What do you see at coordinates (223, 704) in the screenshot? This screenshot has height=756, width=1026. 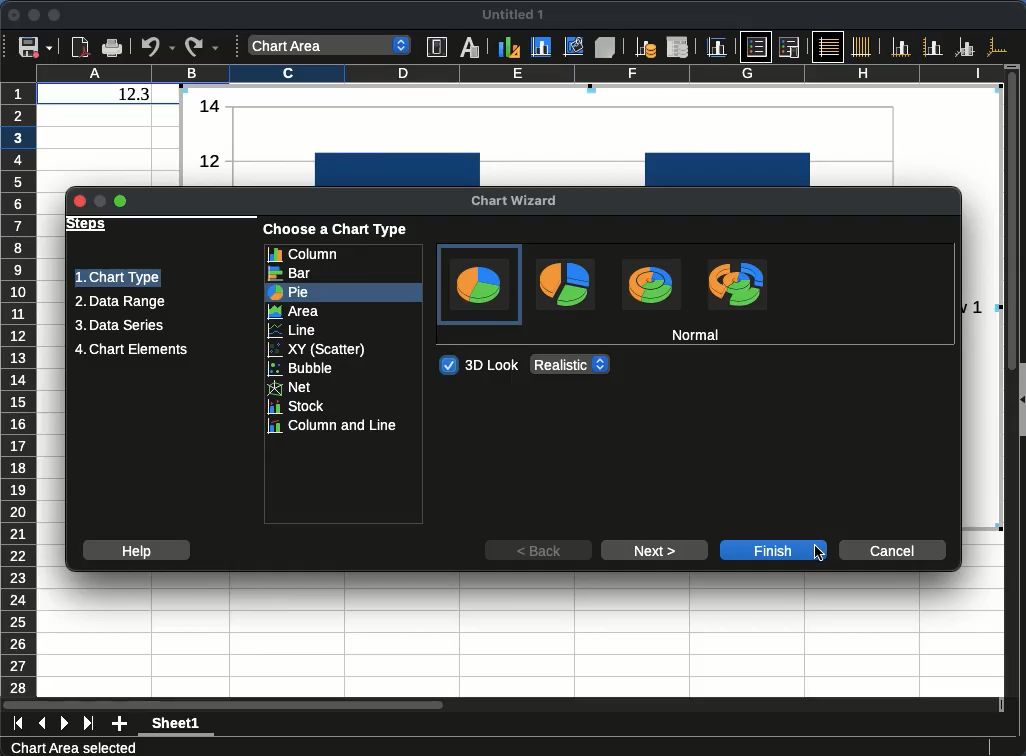 I see `Horizontal slide bar` at bounding box center [223, 704].